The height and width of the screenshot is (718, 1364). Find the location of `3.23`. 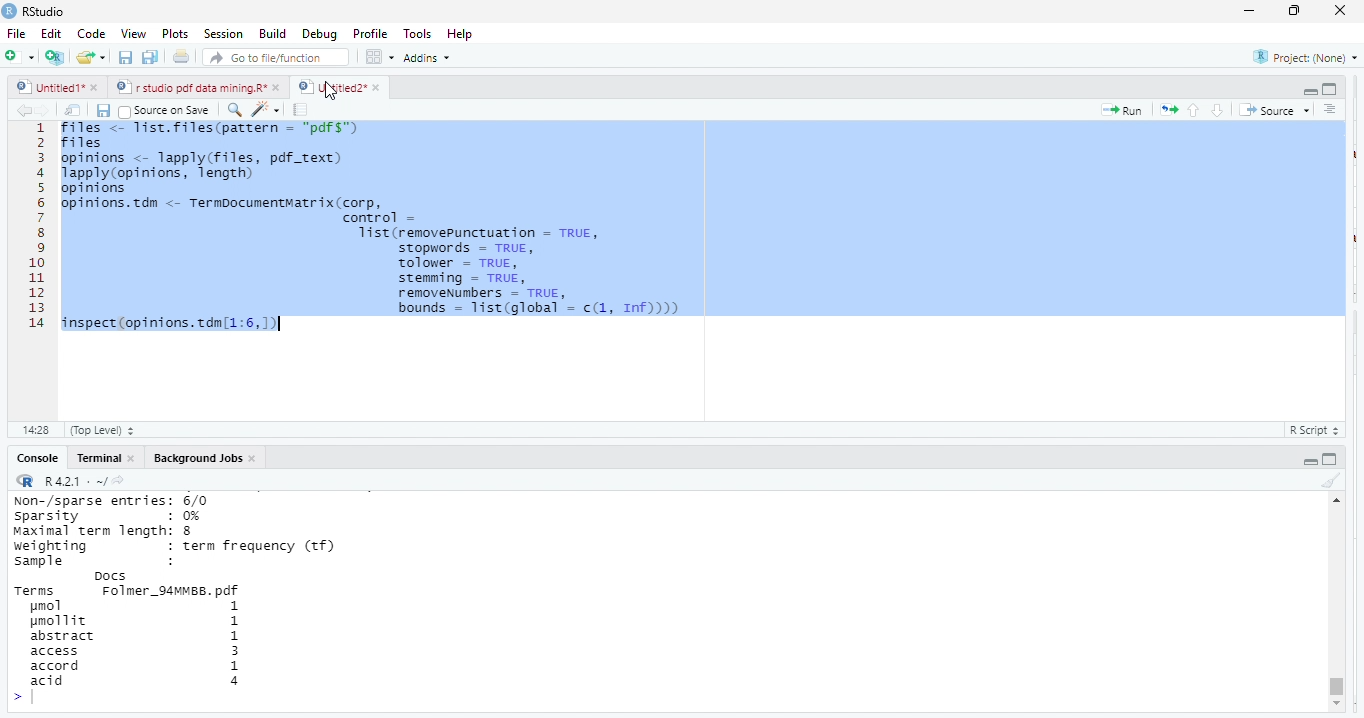

3.23 is located at coordinates (35, 428).